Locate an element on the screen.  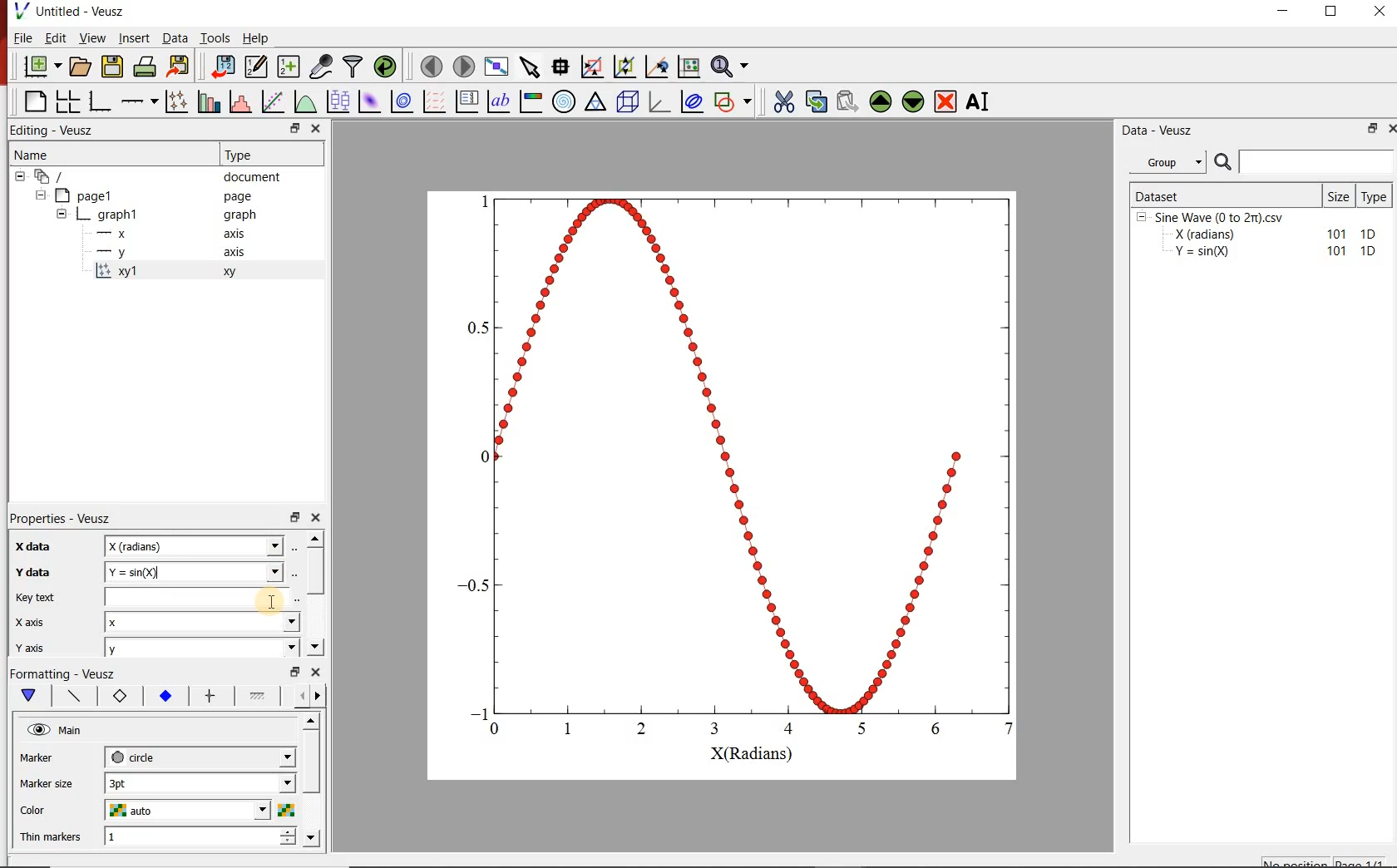
text label is located at coordinates (499, 101).